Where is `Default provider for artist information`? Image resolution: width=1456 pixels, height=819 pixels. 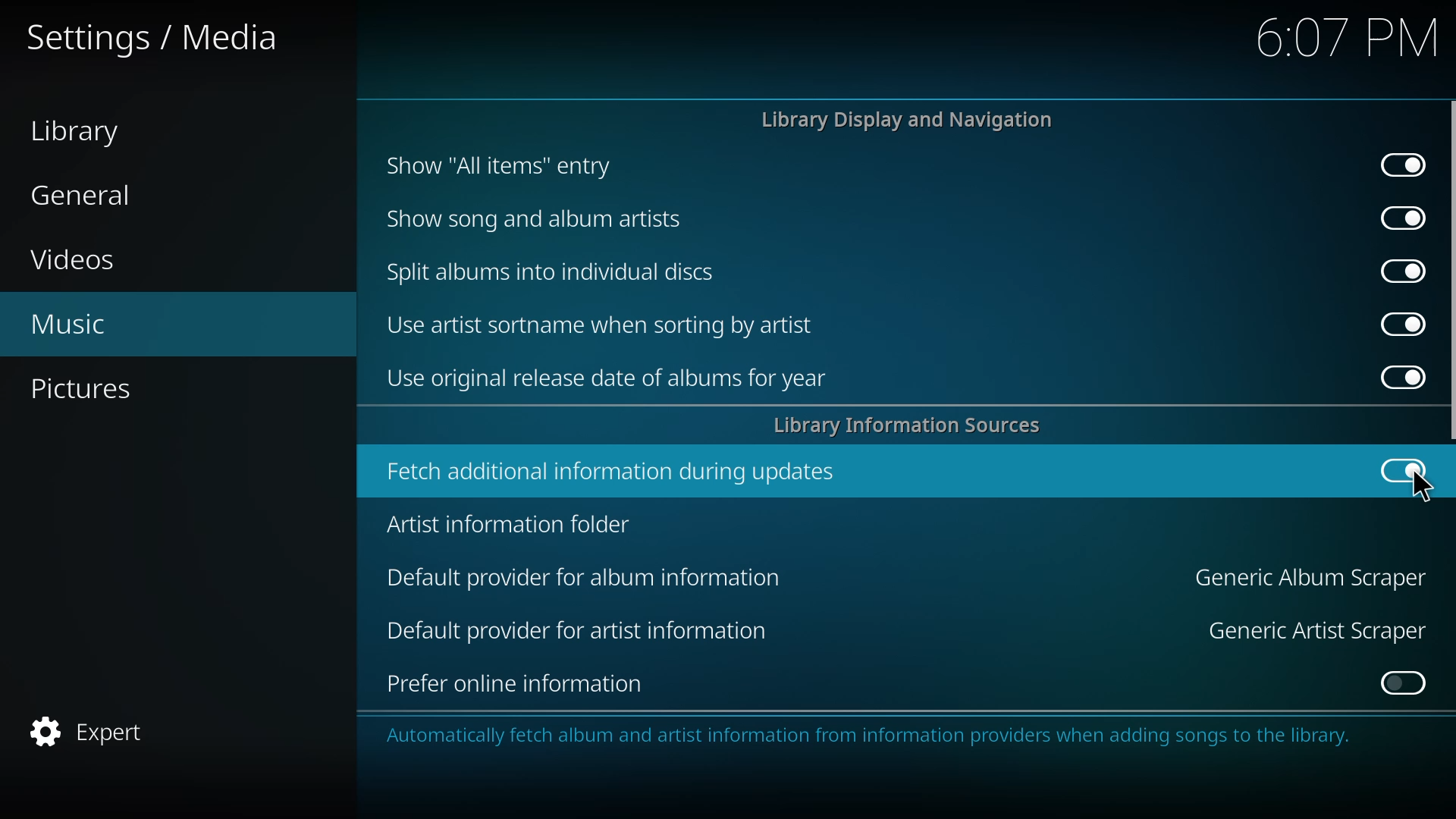 Default provider for artist information is located at coordinates (588, 638).